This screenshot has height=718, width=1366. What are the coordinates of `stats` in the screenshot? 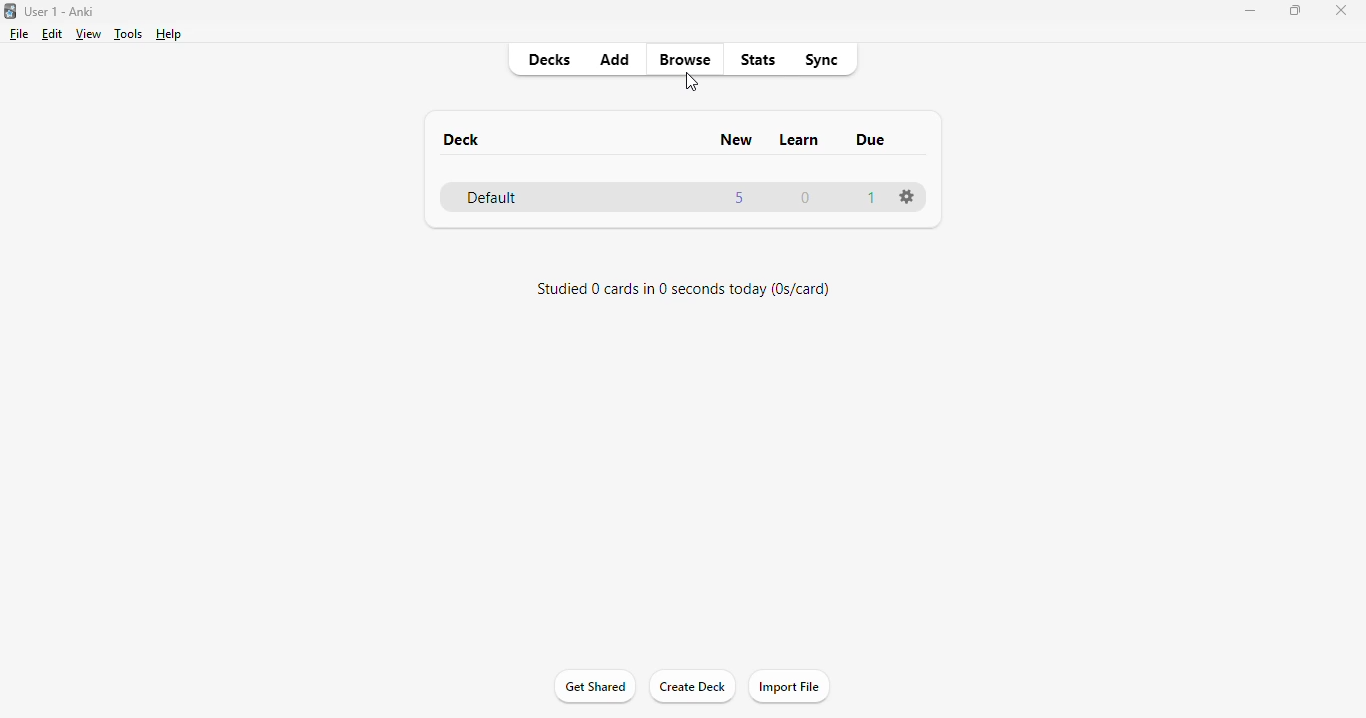 It's located at (758, 59).